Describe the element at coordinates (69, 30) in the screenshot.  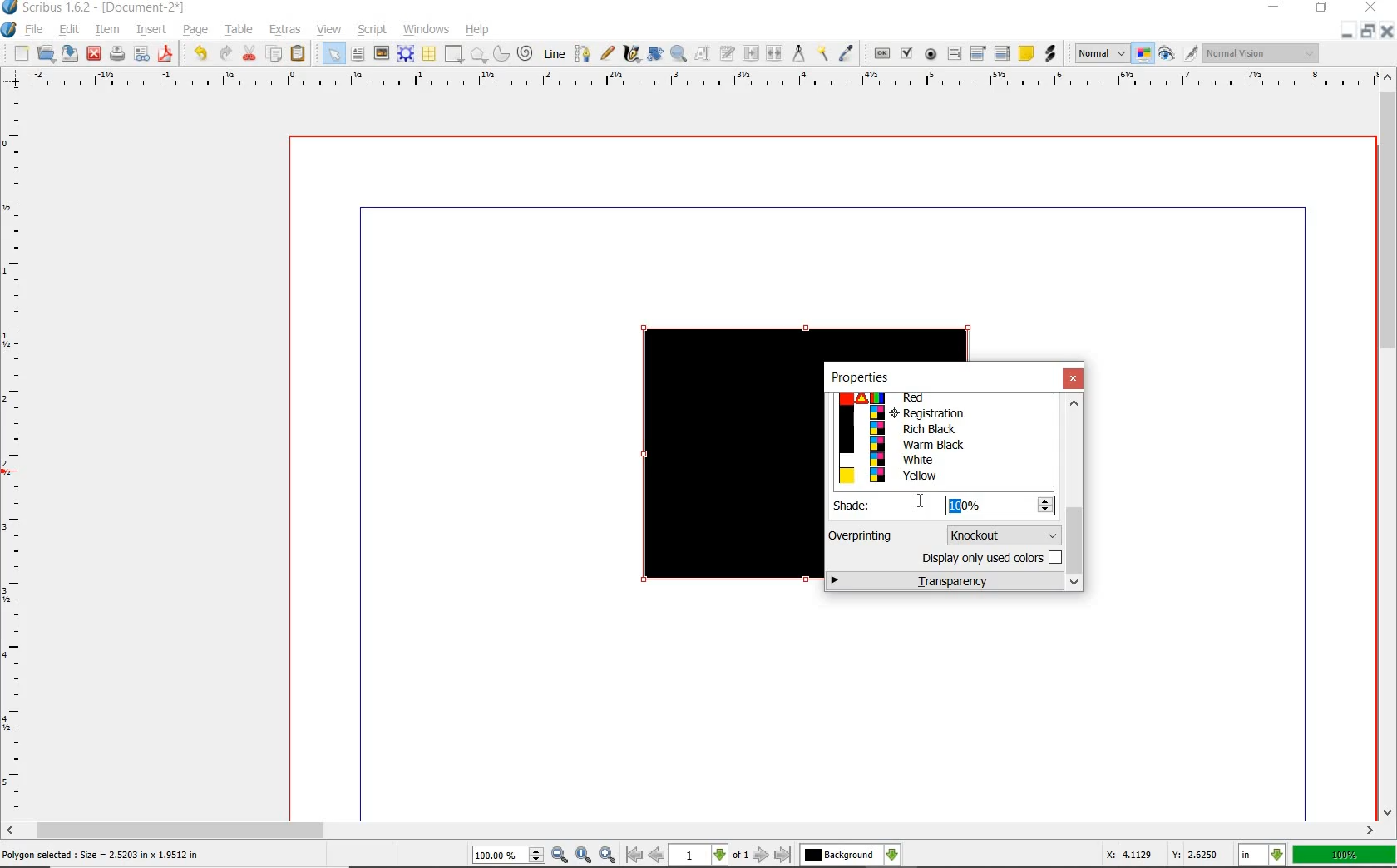
I see `edit` at that location.